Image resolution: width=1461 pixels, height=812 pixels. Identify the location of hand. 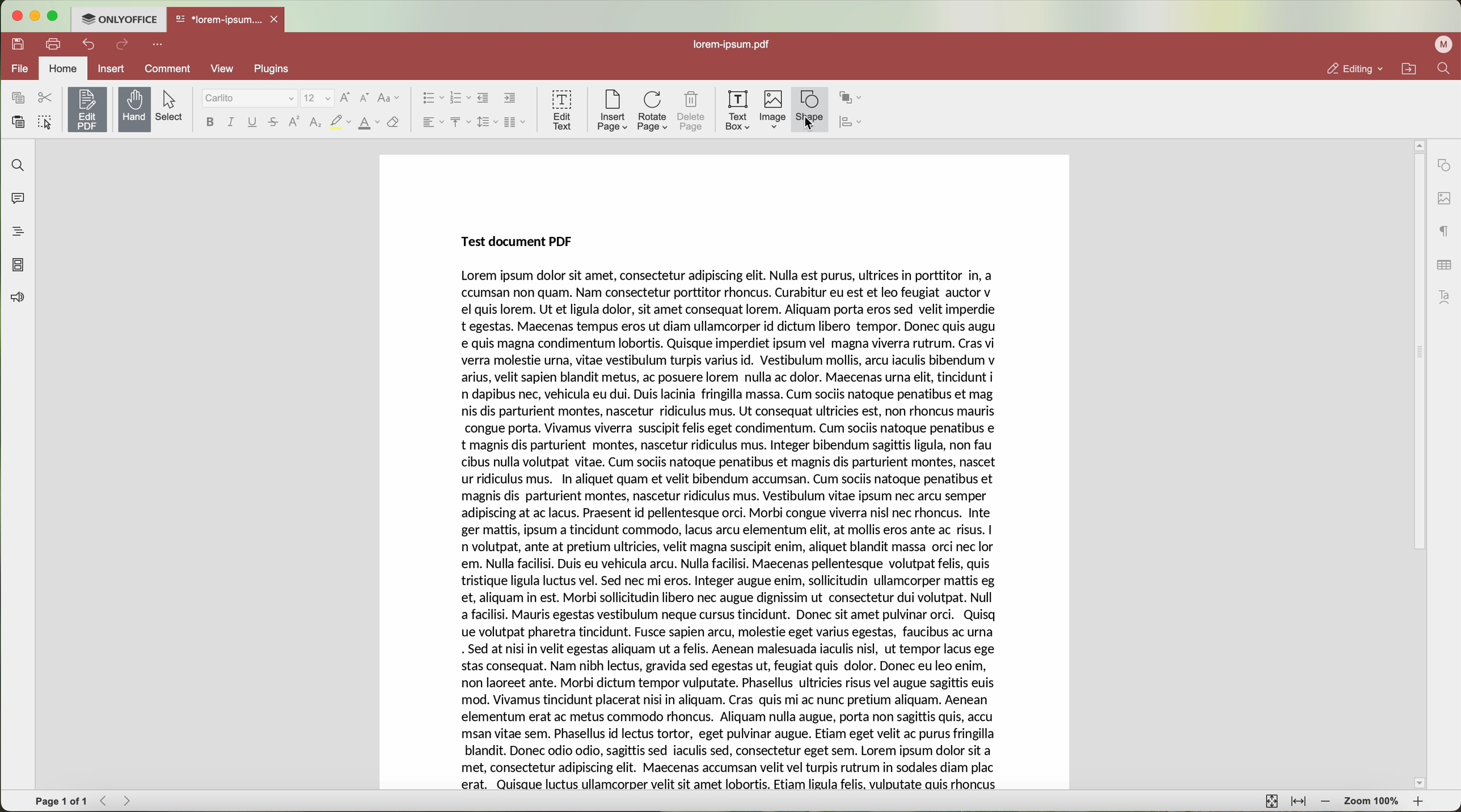
(134, 109).